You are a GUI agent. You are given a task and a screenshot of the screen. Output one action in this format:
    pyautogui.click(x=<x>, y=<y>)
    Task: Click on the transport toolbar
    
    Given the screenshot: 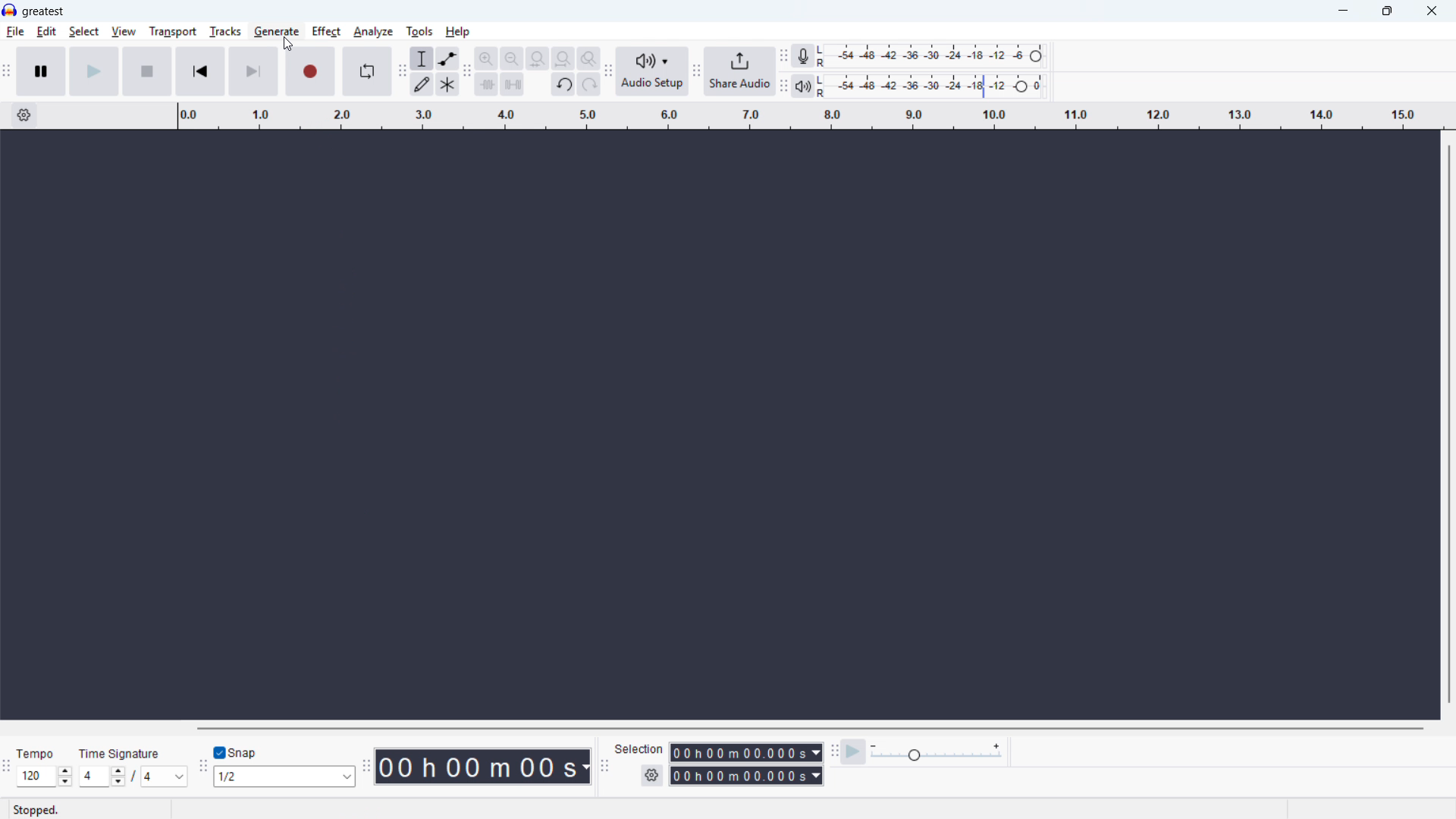 What is the action you would take?
    pyautogui.click(x=7, y=74)
    